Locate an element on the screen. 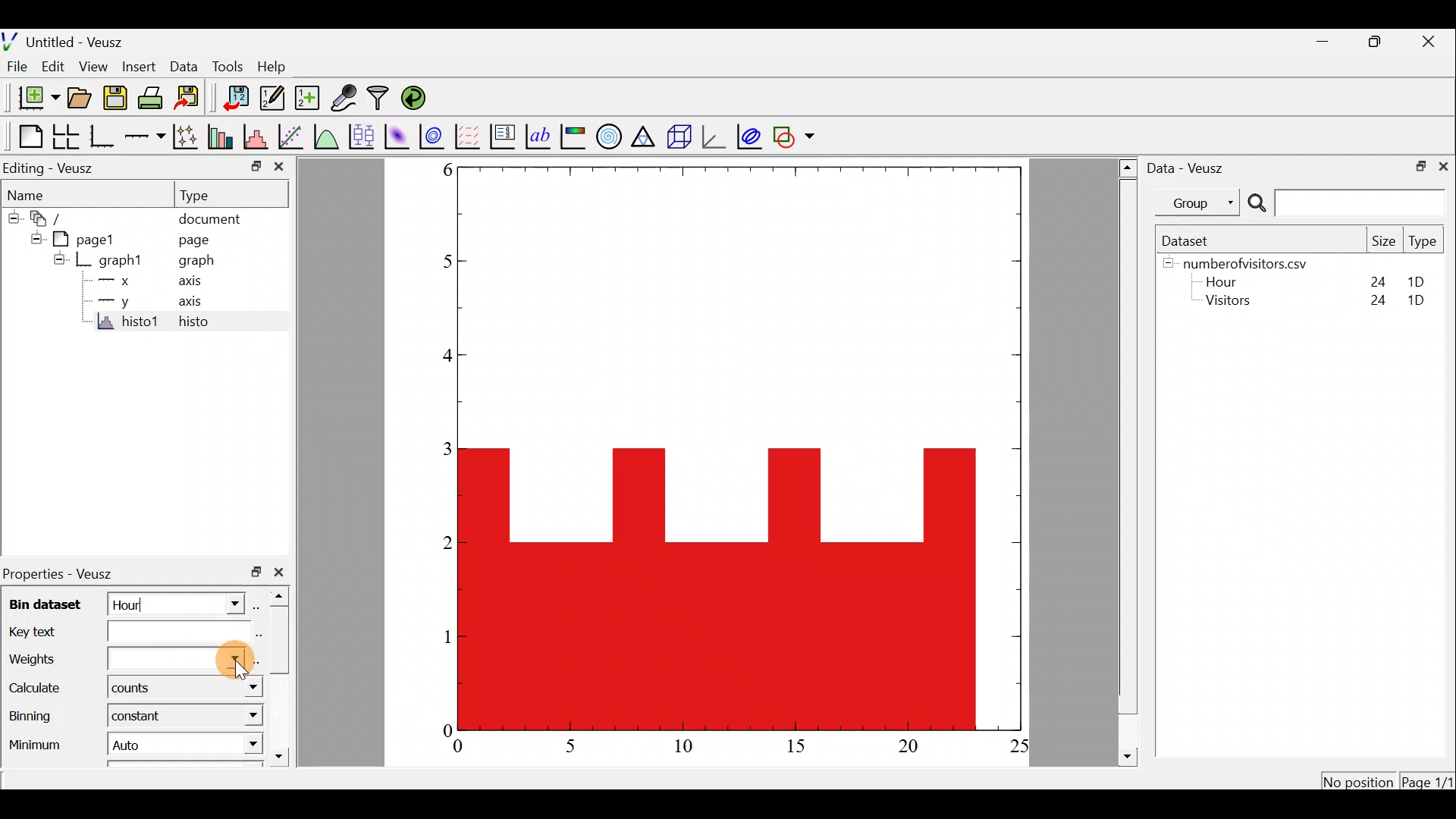 The height and width of the screenshot is (819, 1456). edit and enter new datasets is located at coordinates (272, 99).